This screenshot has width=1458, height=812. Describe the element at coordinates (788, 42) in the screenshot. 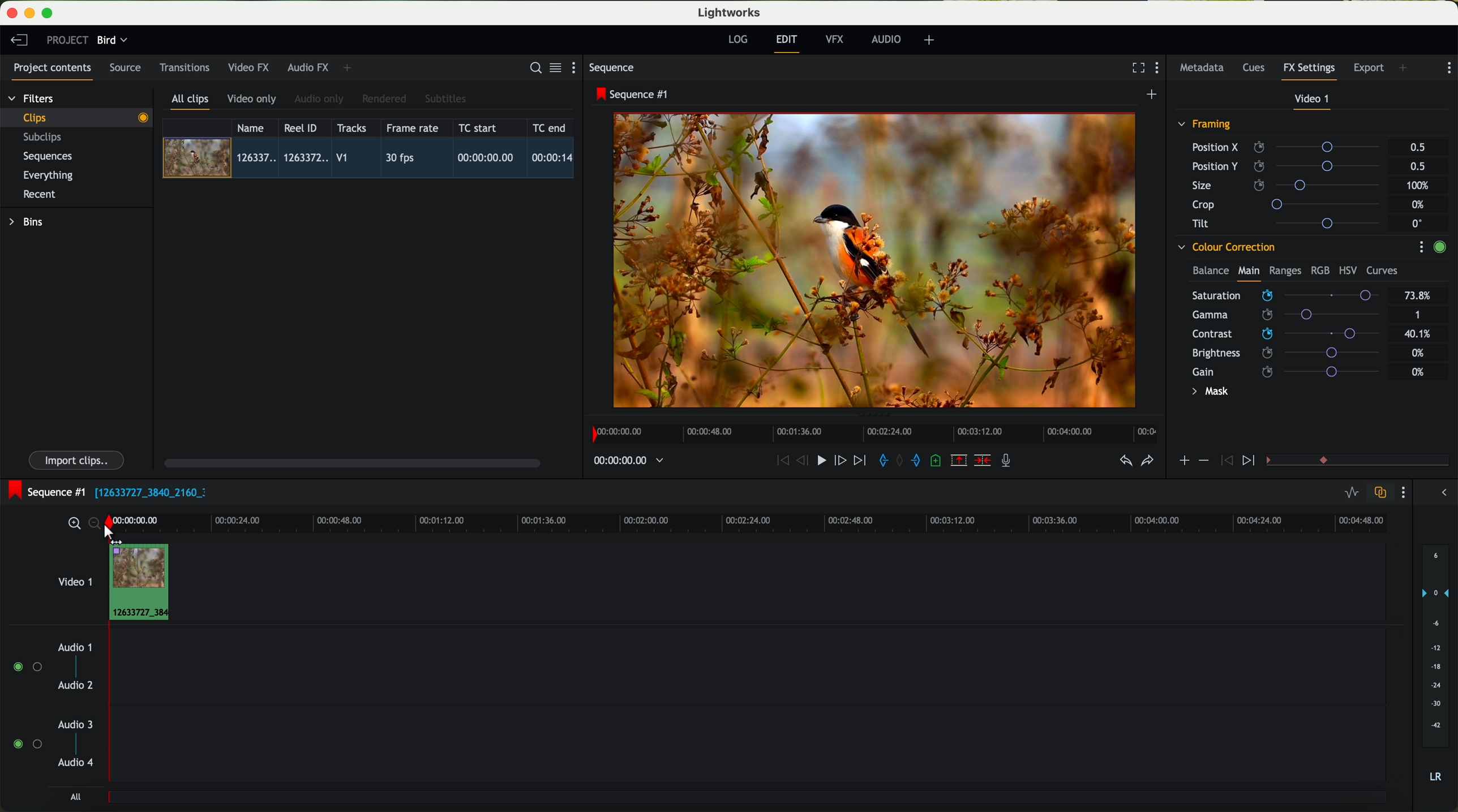

I see `edit` at that location.